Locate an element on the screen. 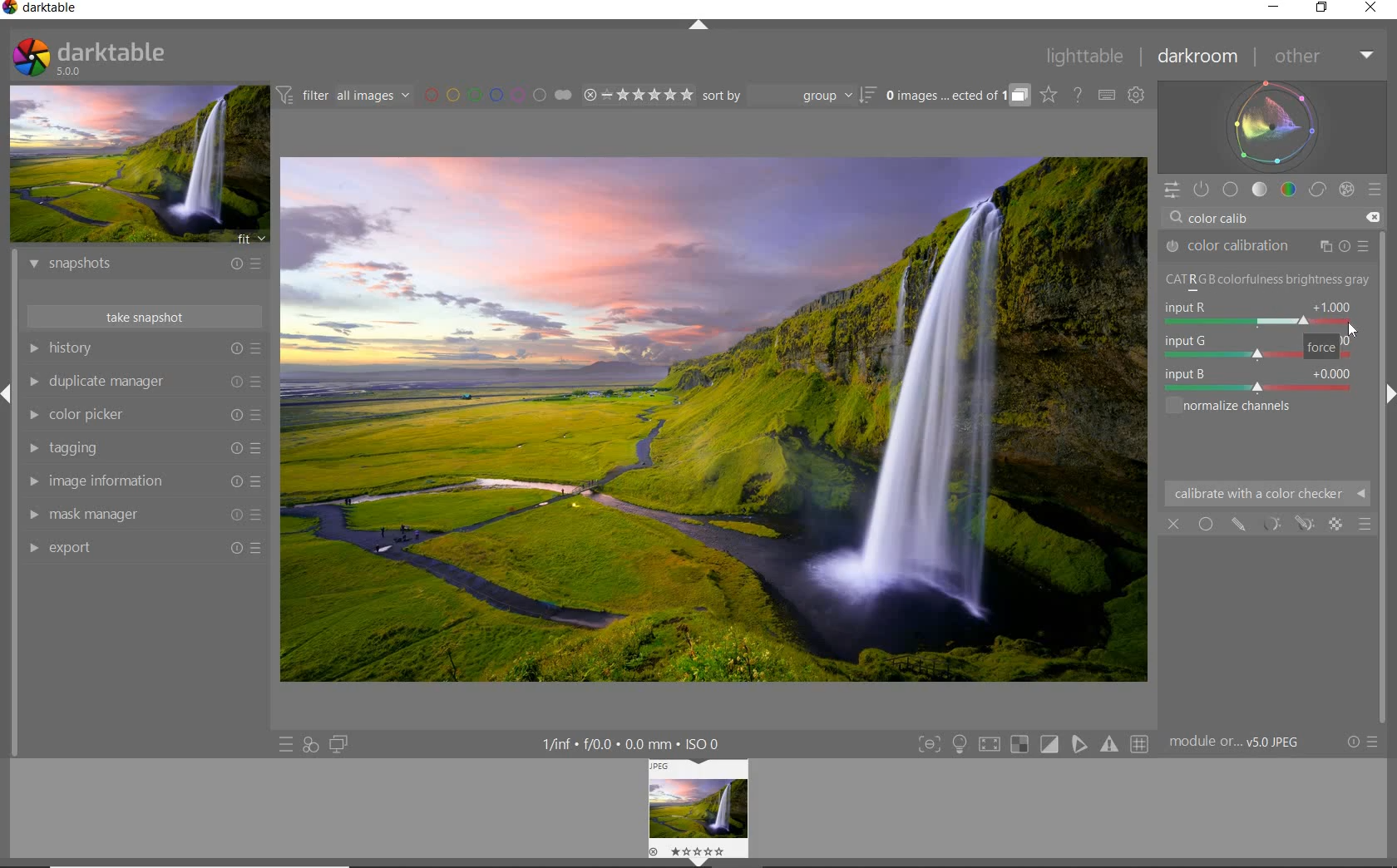  darkroom is located at coordinates (1198, 57).